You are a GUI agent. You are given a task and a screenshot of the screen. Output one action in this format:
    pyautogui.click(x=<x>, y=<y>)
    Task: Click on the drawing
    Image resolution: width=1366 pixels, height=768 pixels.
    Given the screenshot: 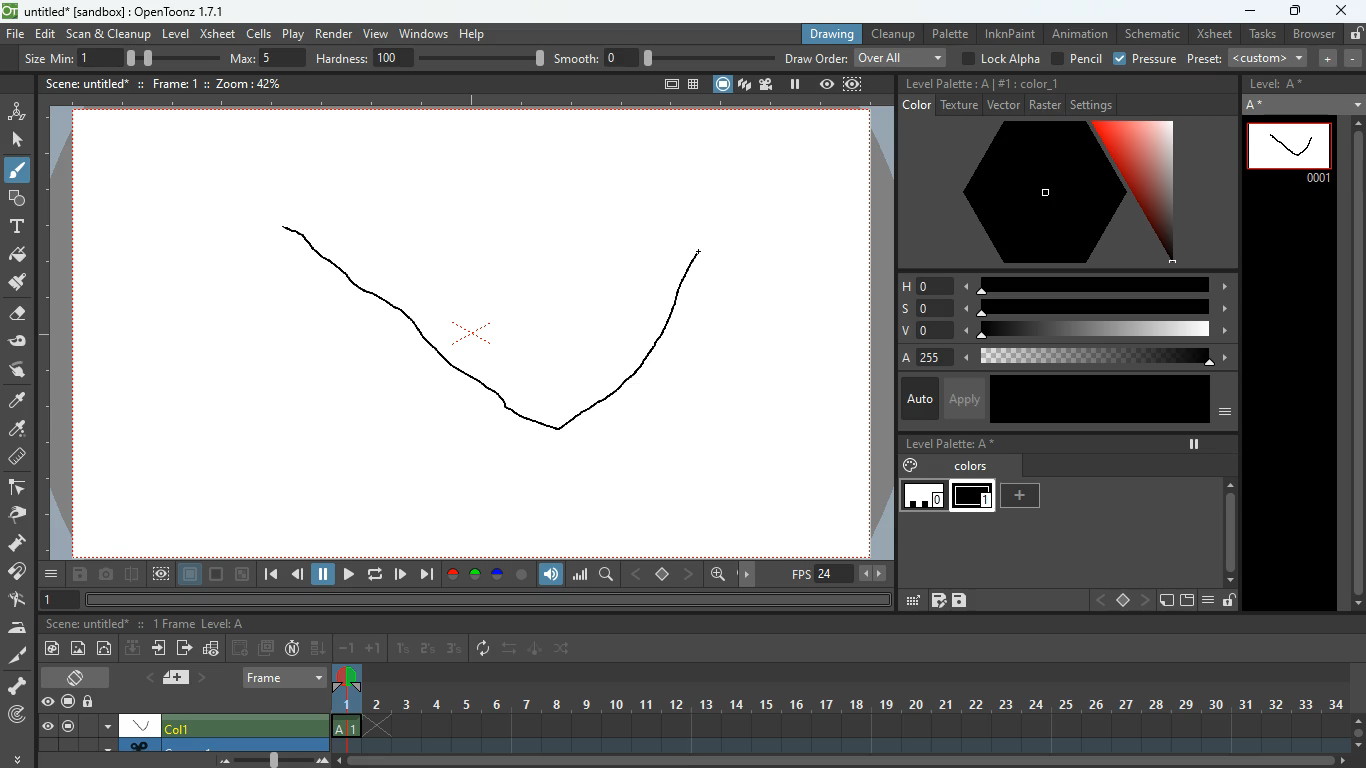 What is the action you would take?
    pyautogui.click(x=826, y=34)
    